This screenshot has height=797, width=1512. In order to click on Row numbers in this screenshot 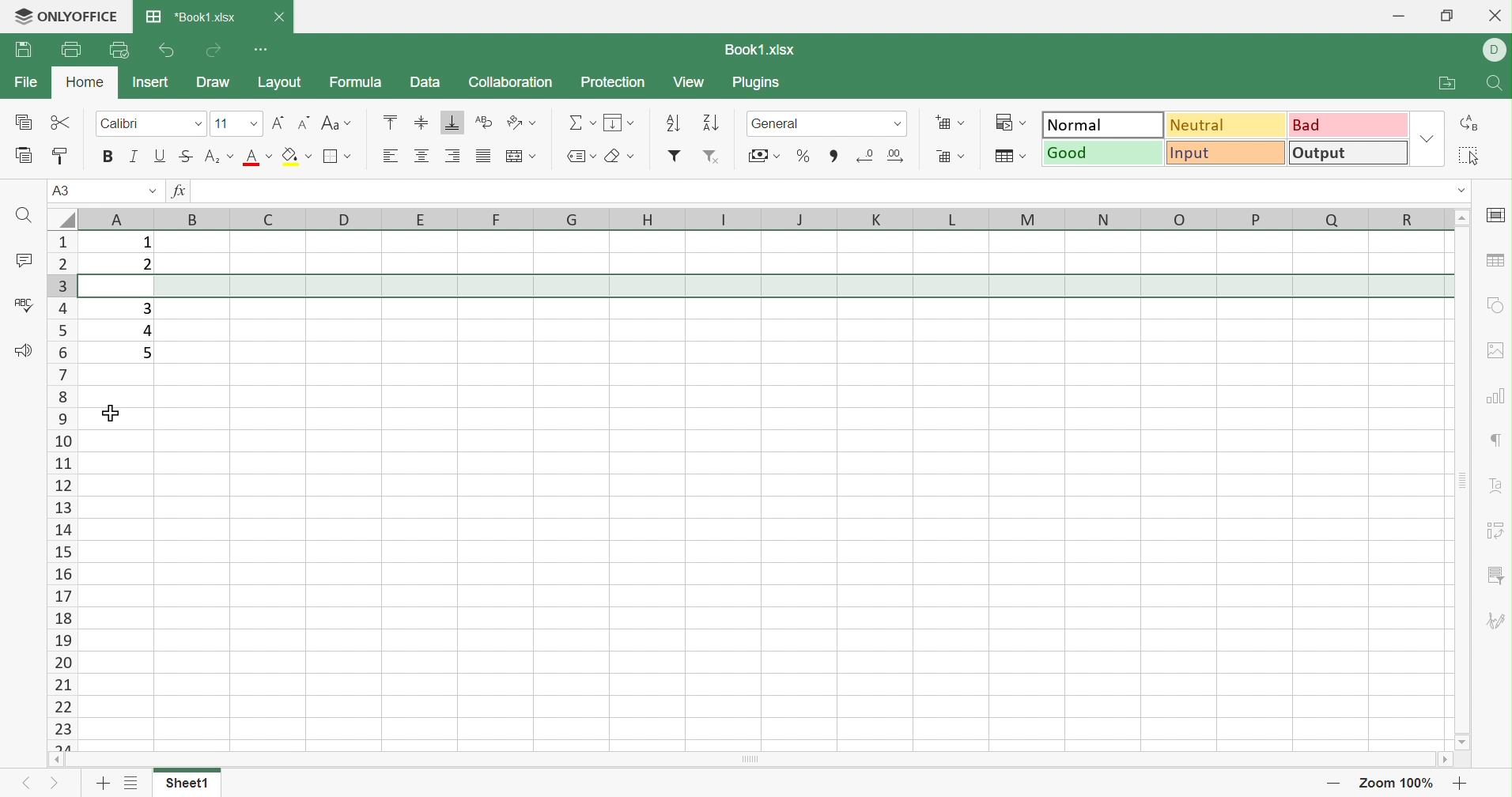, I will do `click(62, 493)`.